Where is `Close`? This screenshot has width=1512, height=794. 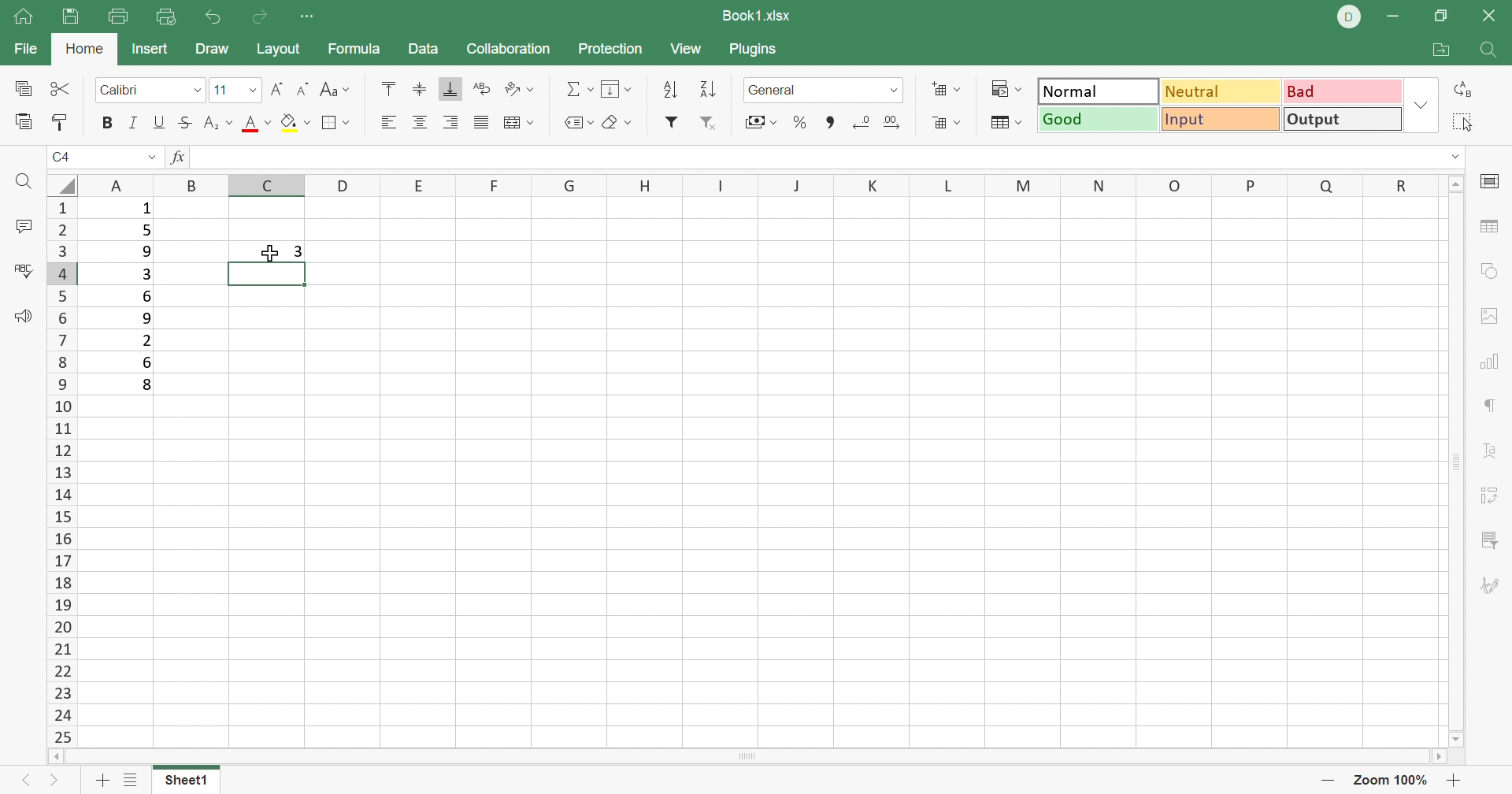 Close is located at coordinates (1493, 13).